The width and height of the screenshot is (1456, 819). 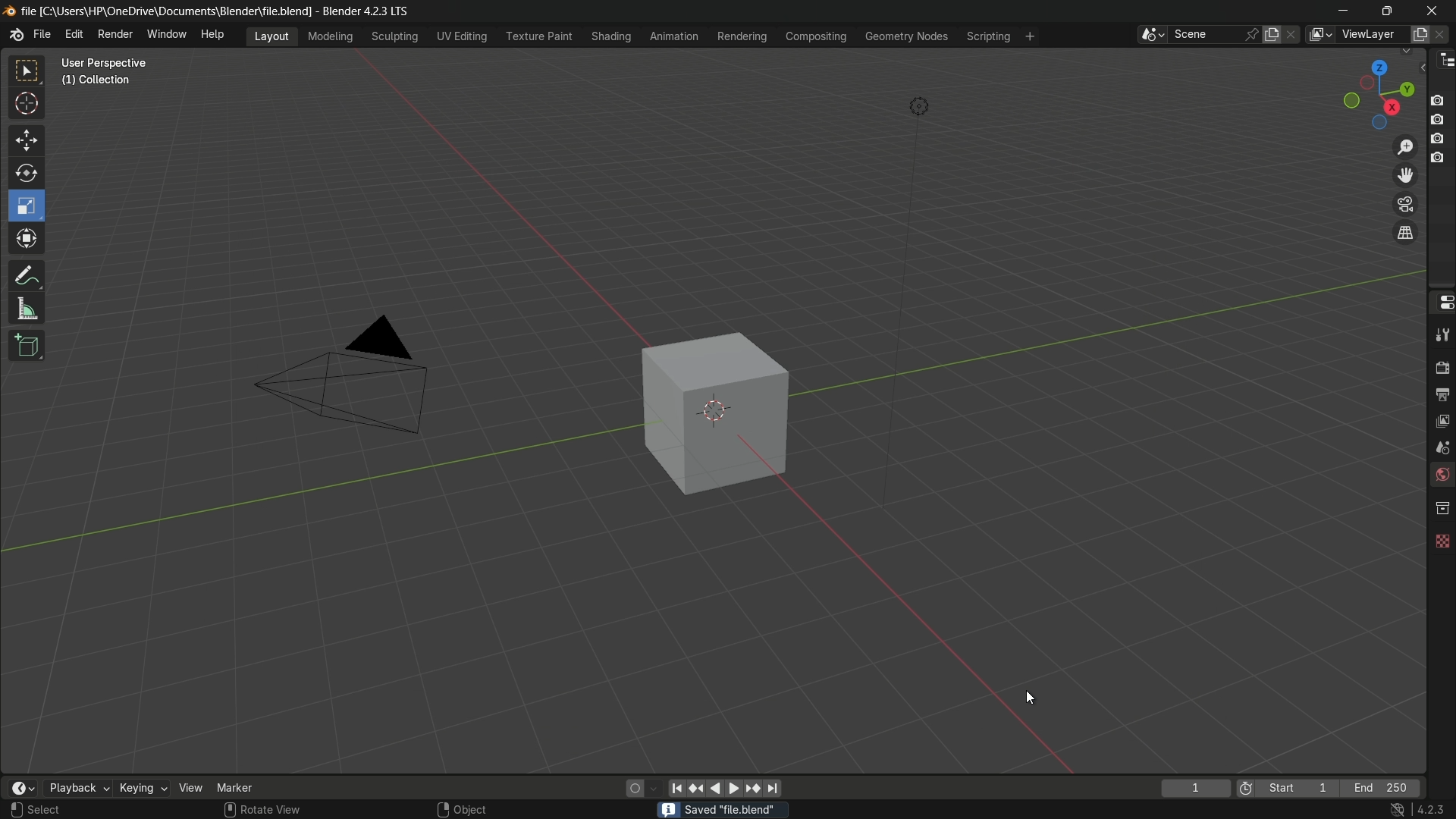 What do you see at coordinates (773, 789) in the screenshot?
I see `jump to endpoint` at bounding box center [773, 789].